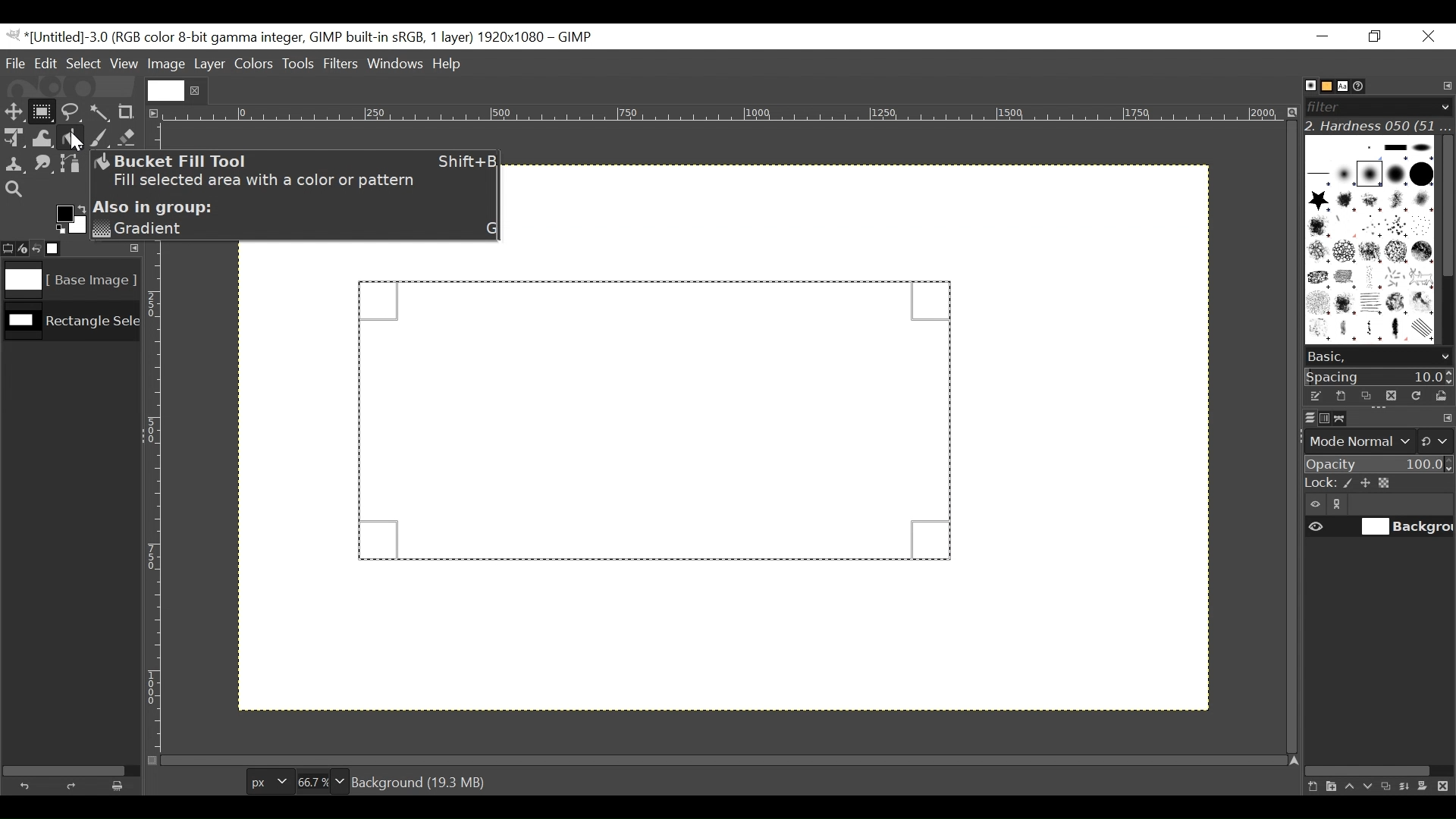 This screenshot has height=819, width=1456. I want to click on Spacing, so click(1379, 376).